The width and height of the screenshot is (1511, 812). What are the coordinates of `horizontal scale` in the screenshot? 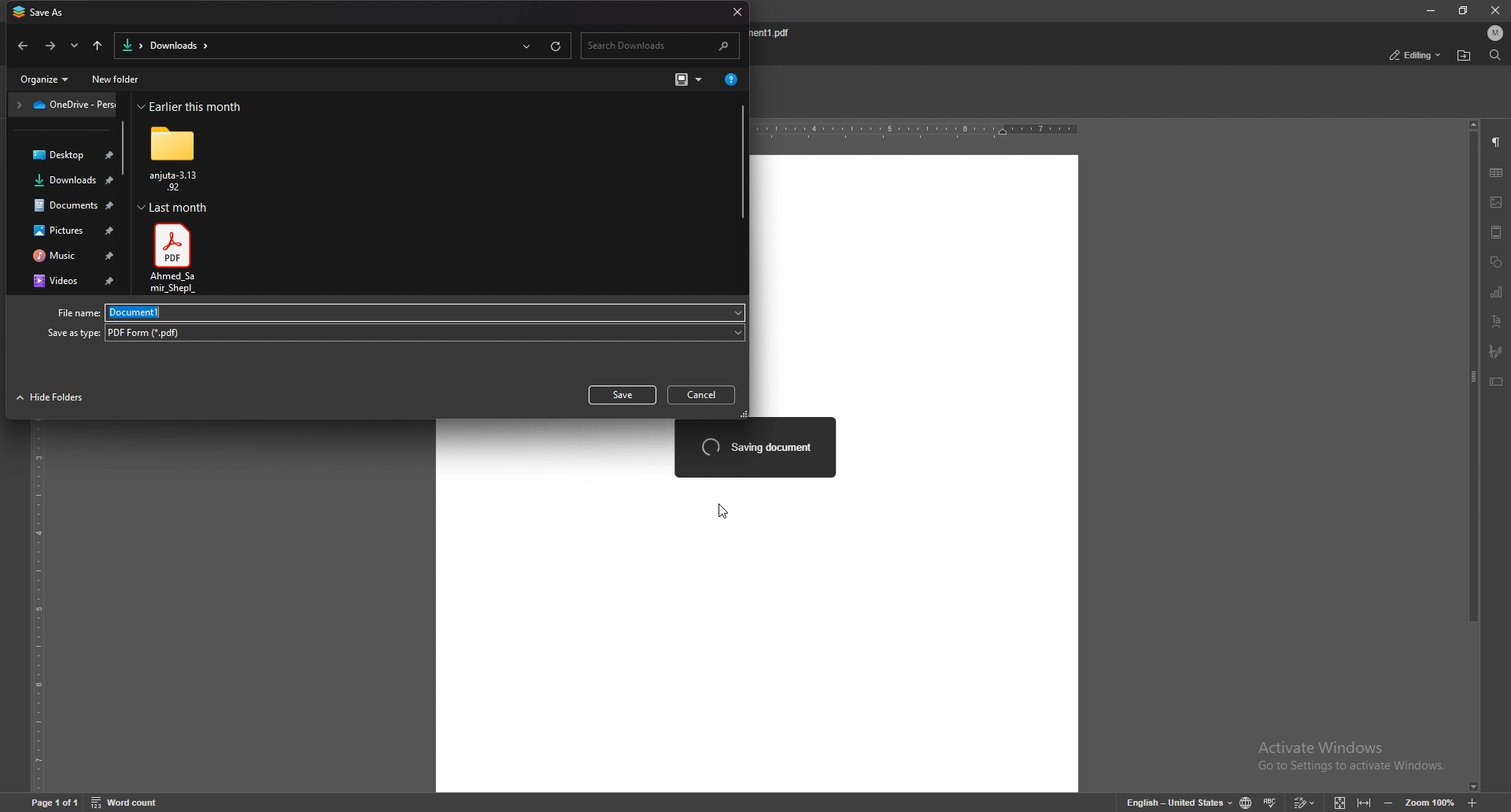 It's located at (918, 131).